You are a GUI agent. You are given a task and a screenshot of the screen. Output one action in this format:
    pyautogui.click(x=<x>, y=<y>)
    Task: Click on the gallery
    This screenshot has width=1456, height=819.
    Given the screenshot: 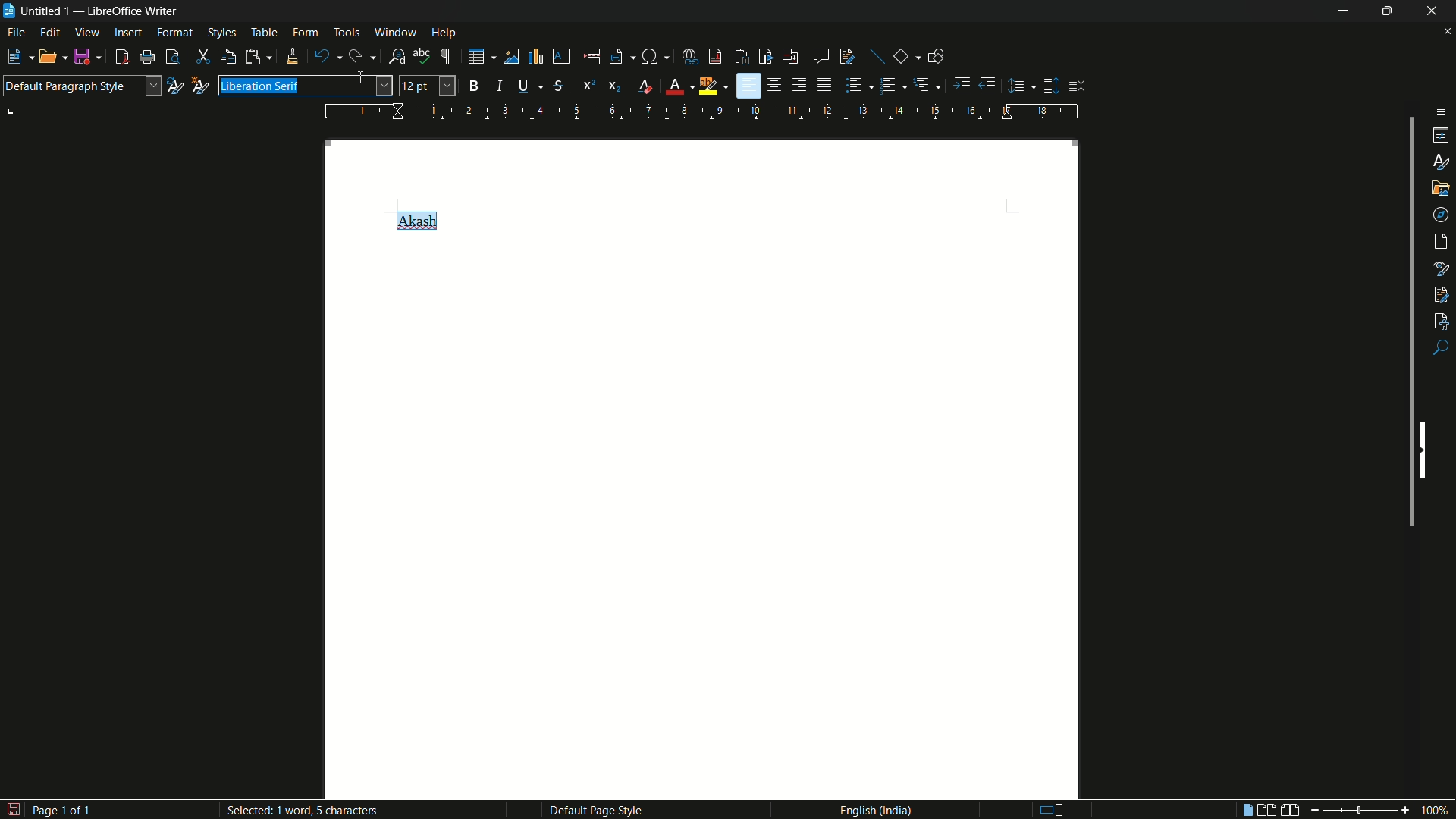 What is the action you would take?
    pyautogui.click(x=1441, y=187)
    